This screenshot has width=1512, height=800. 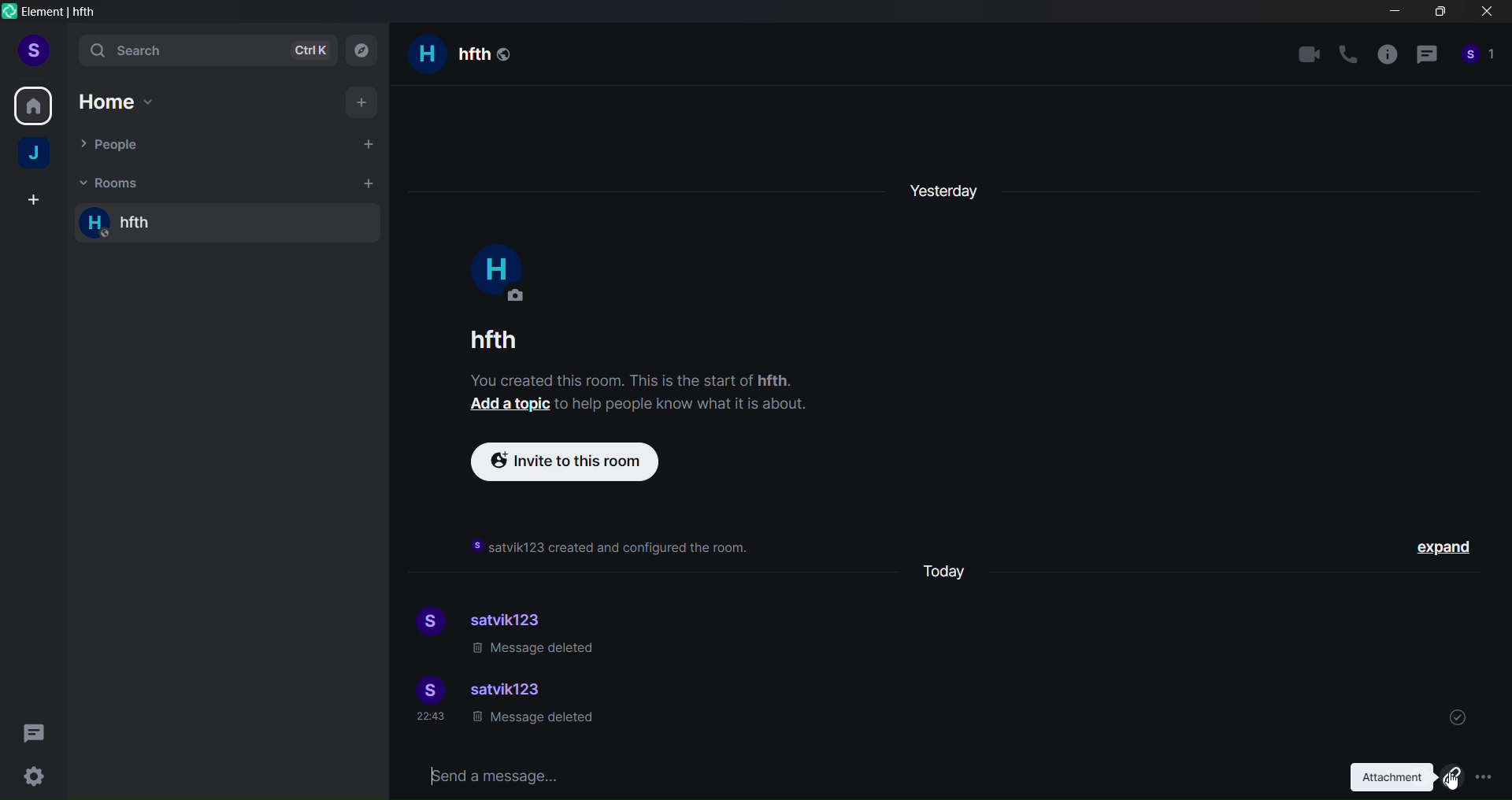 What do you see at coordinates (1447, 550) in the screenshot?
I see `expand` at bounding box center [1447, 550].